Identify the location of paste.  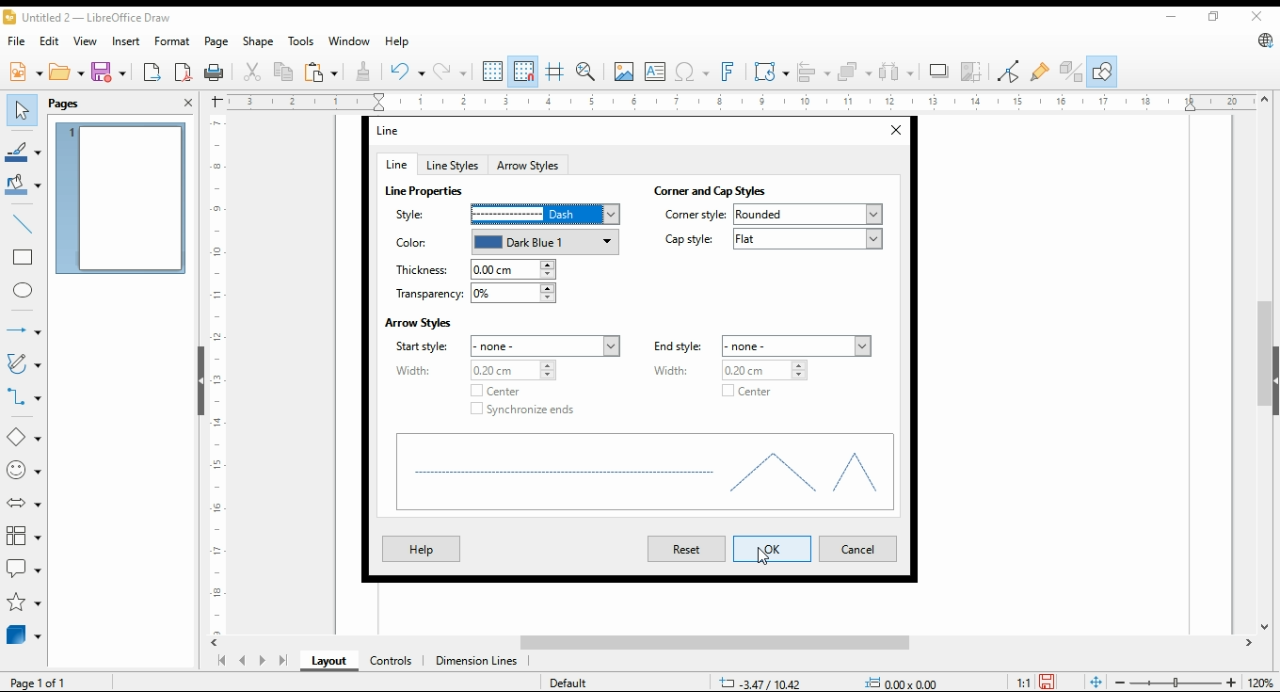
(321, 71).